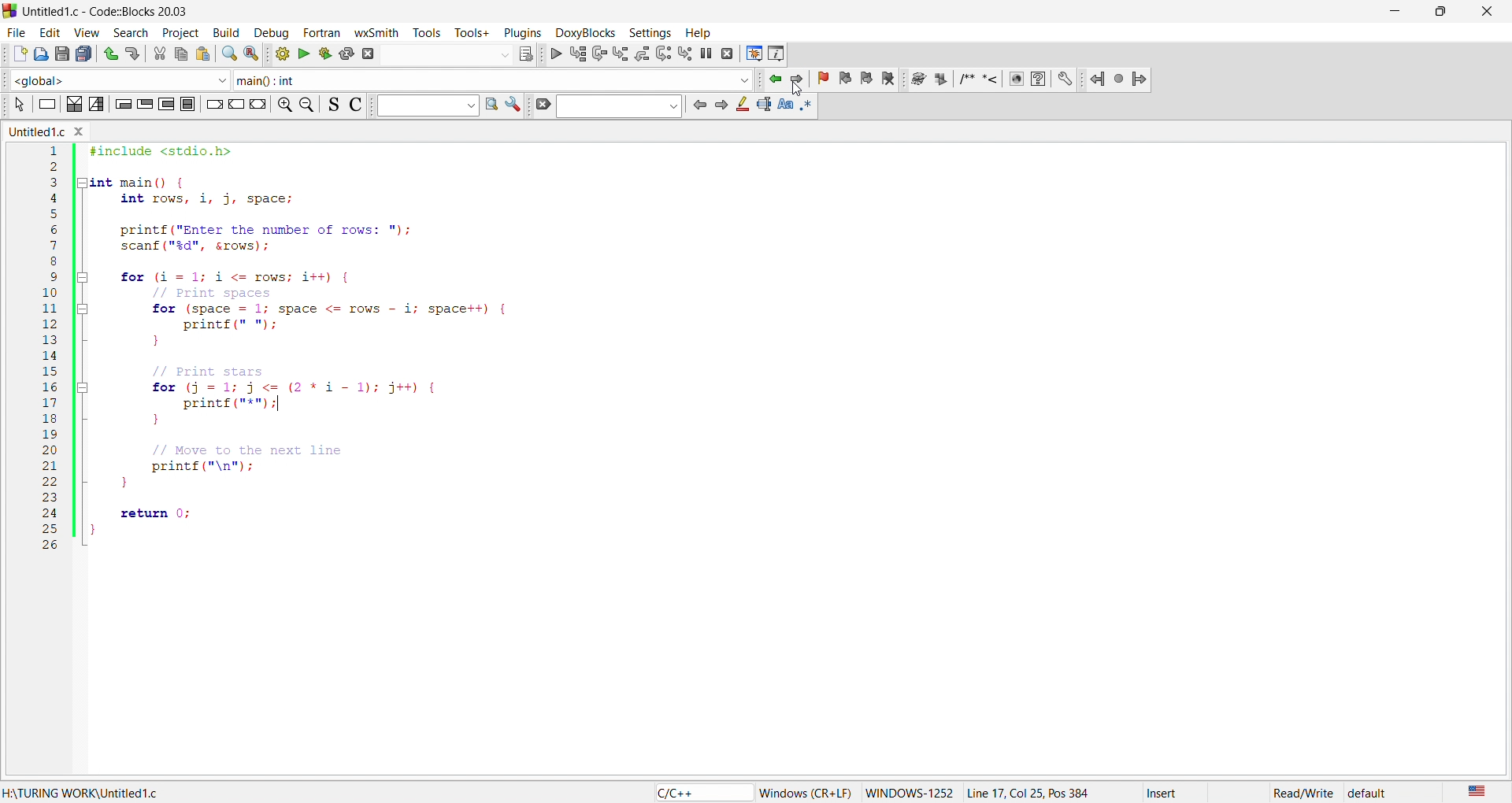  Describe the element at coordinates (1436, 12) in the screenshot. I see `maximize/resize` at that location.